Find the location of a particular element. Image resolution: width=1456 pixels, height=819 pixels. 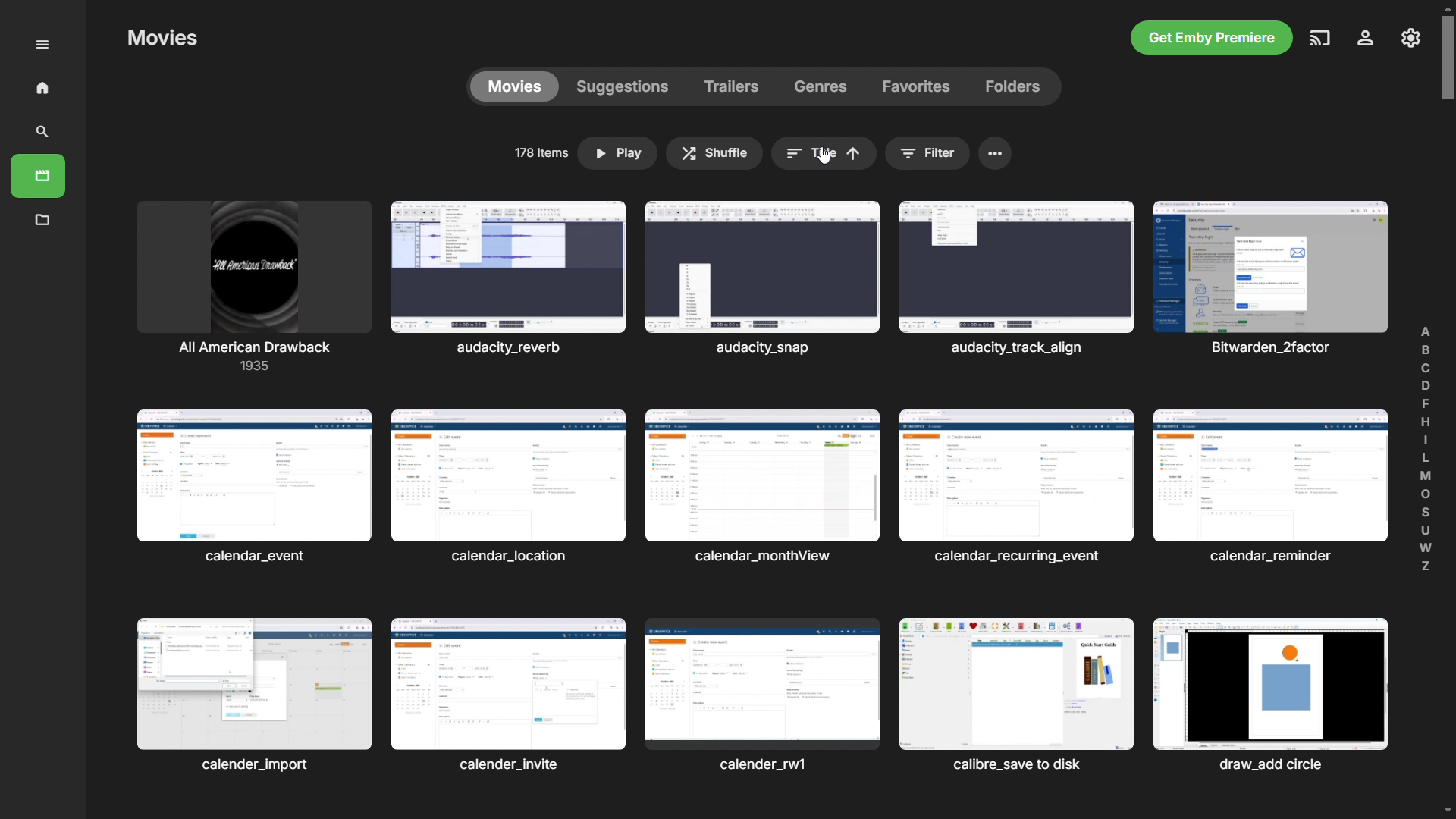

scrollbar is located at coordinates (1447, 58).